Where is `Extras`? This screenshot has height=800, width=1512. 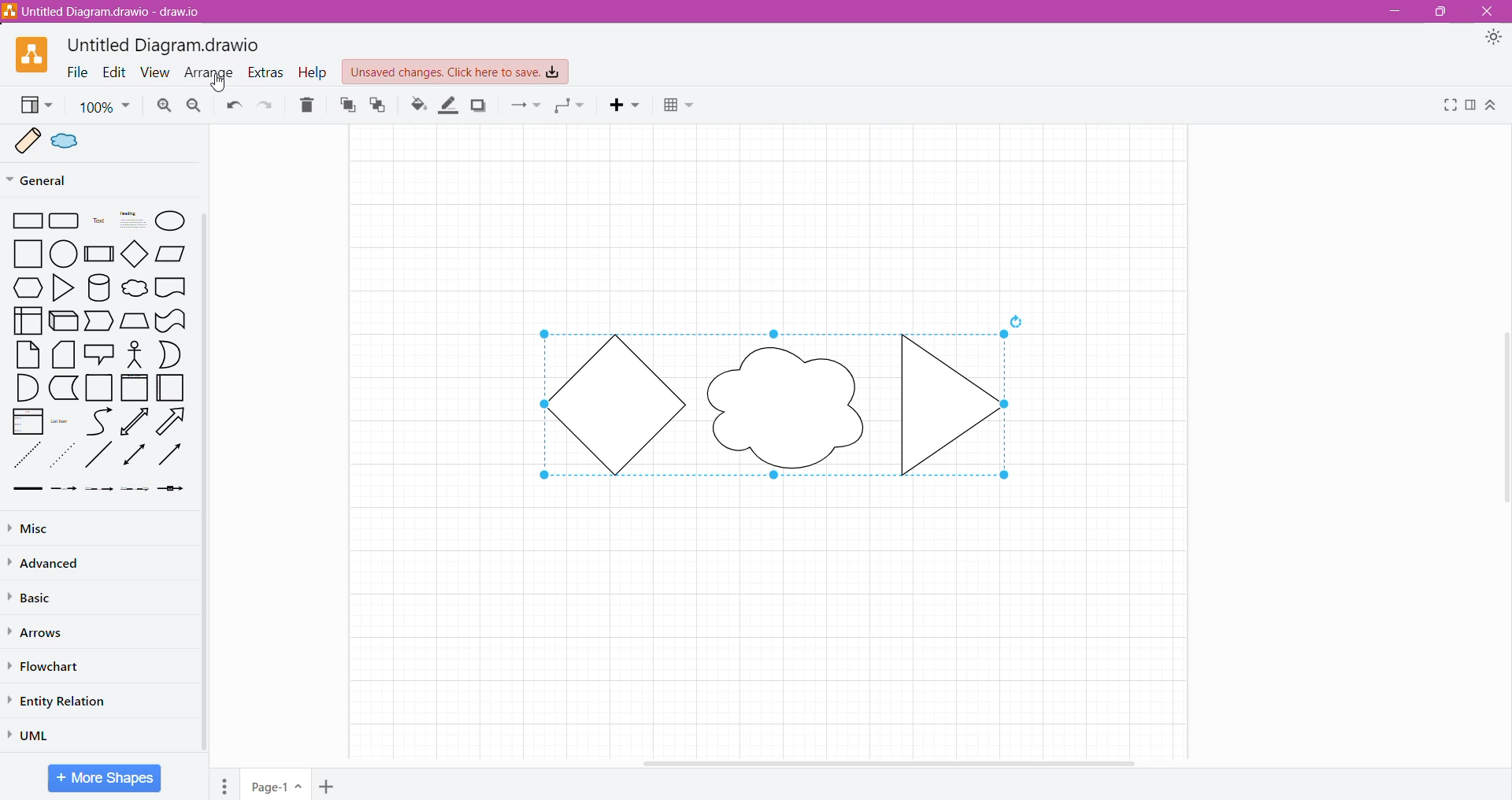
Extras is located at coordinates (265, 74).